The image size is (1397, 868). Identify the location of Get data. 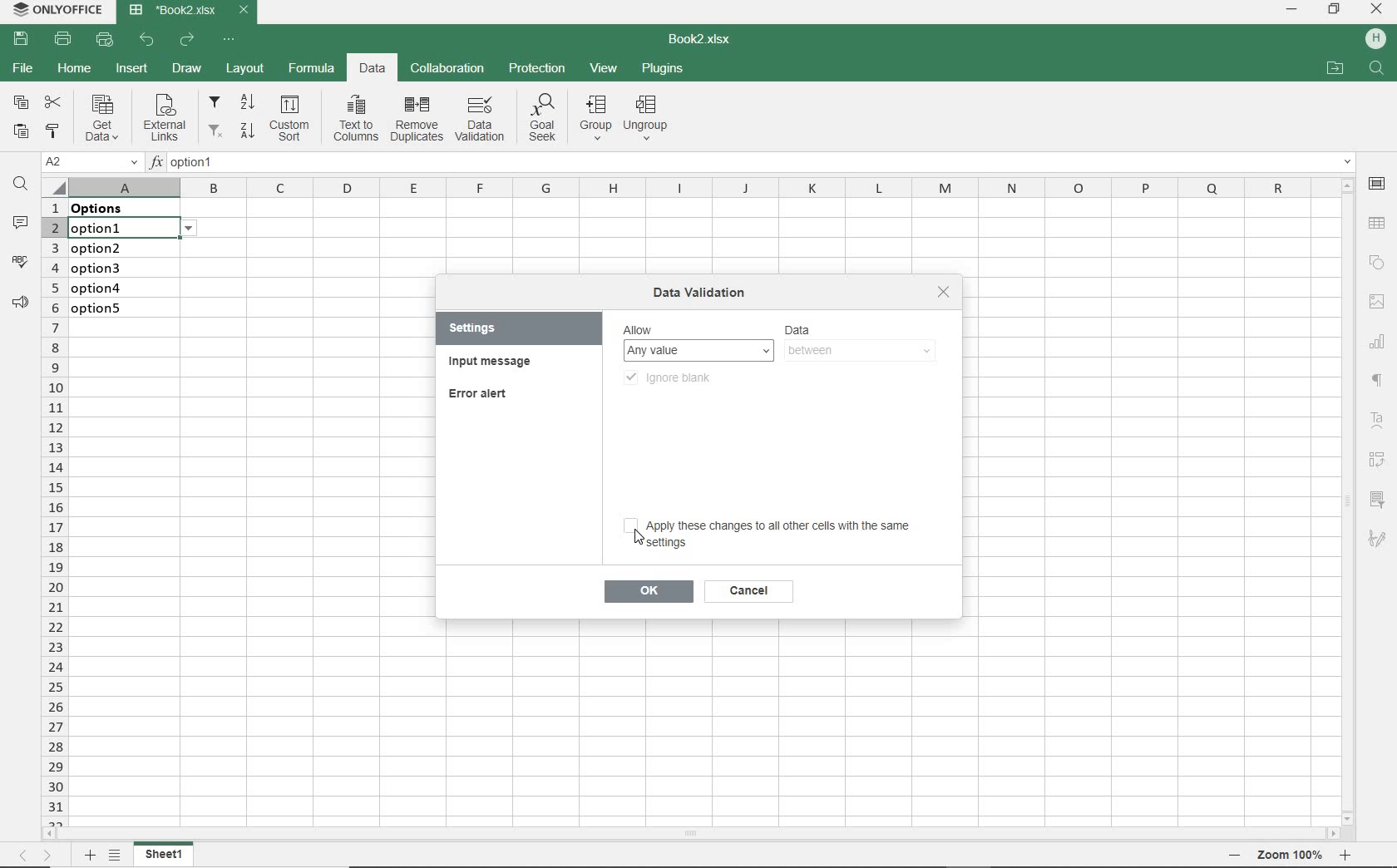
(100, 117).